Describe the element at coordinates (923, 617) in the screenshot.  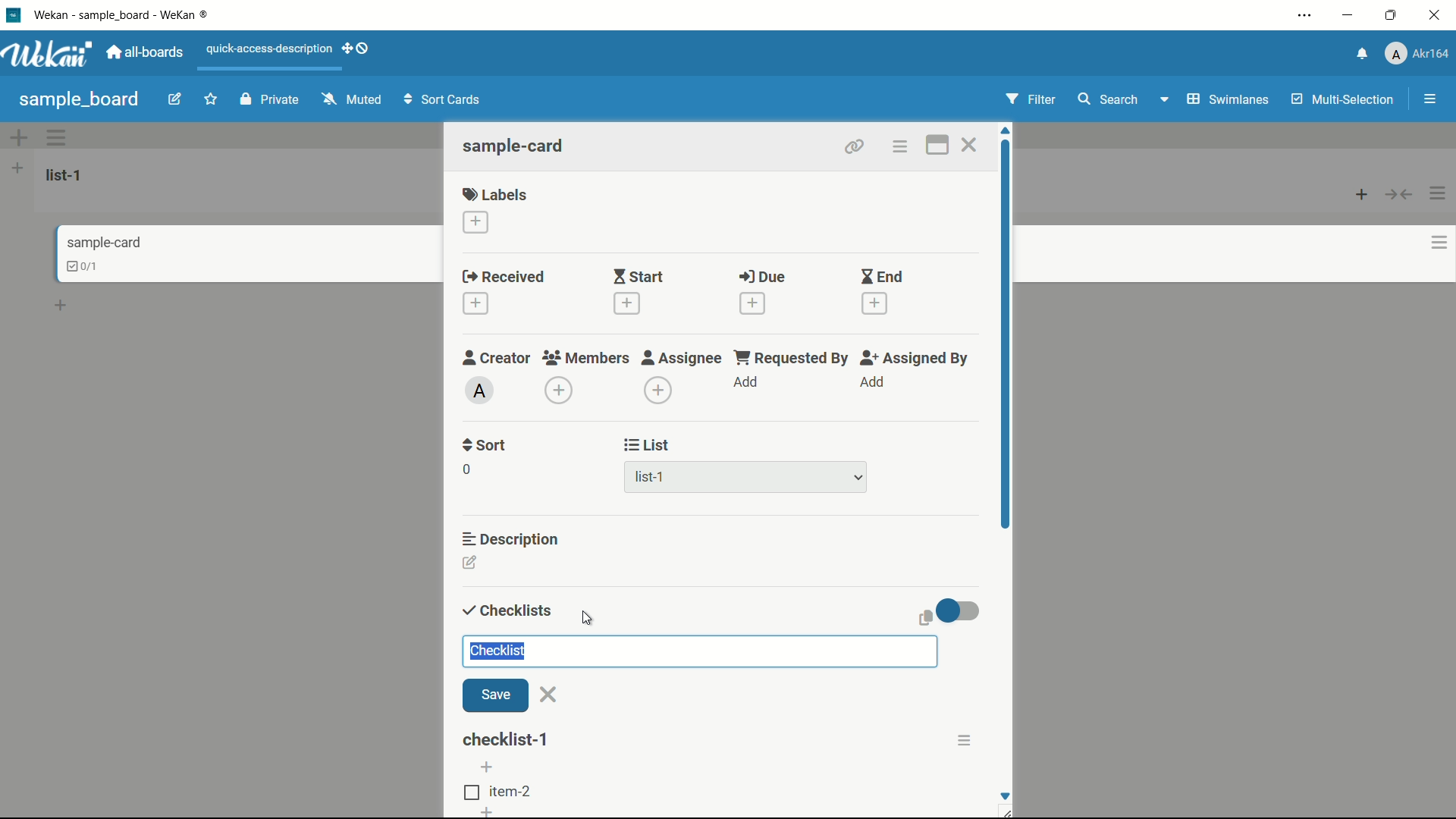
I see `copy text to clipboard` at that location.